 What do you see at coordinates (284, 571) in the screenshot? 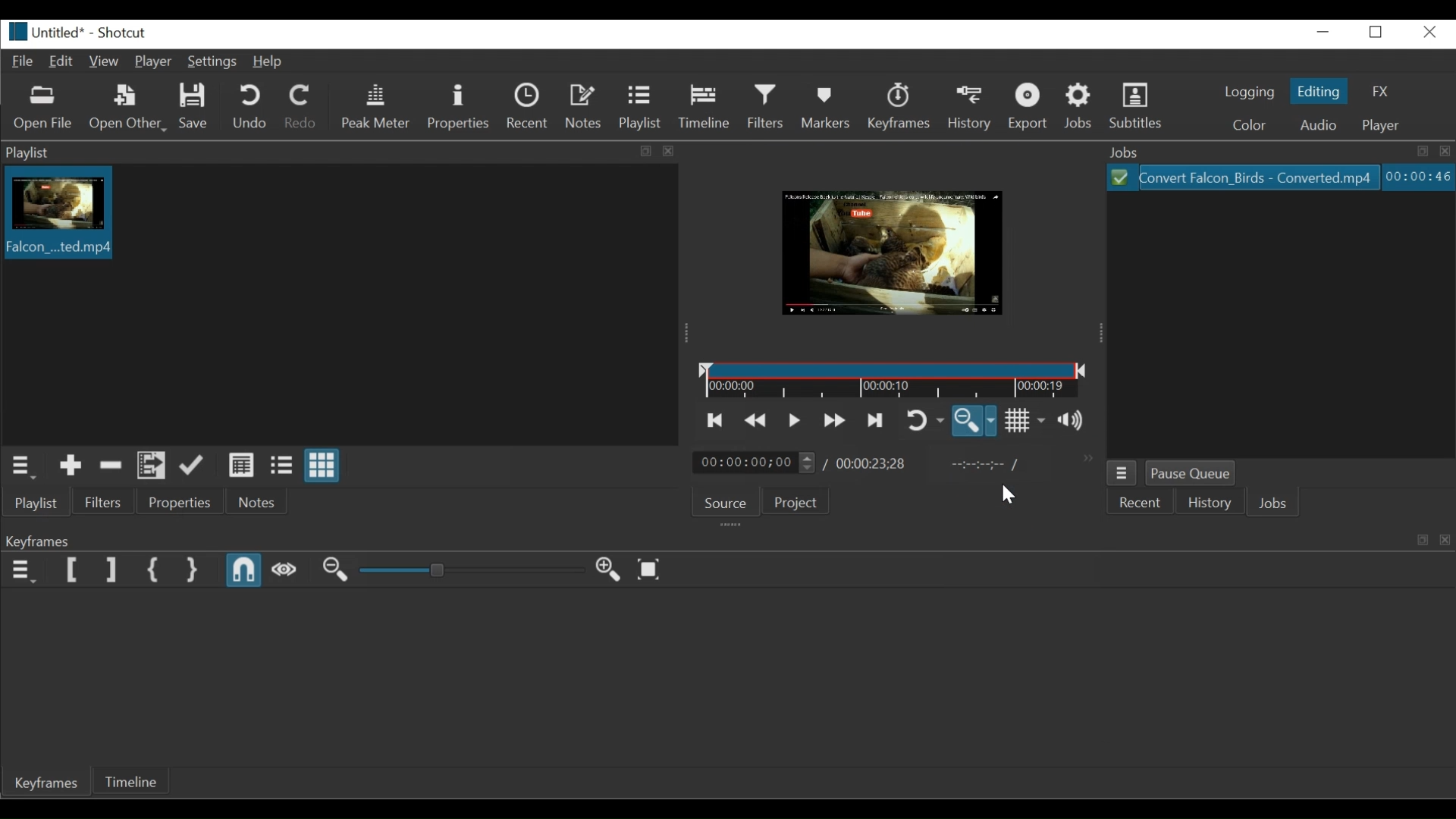
I see `Scrub while dragging` at bounding box center [284, 571].